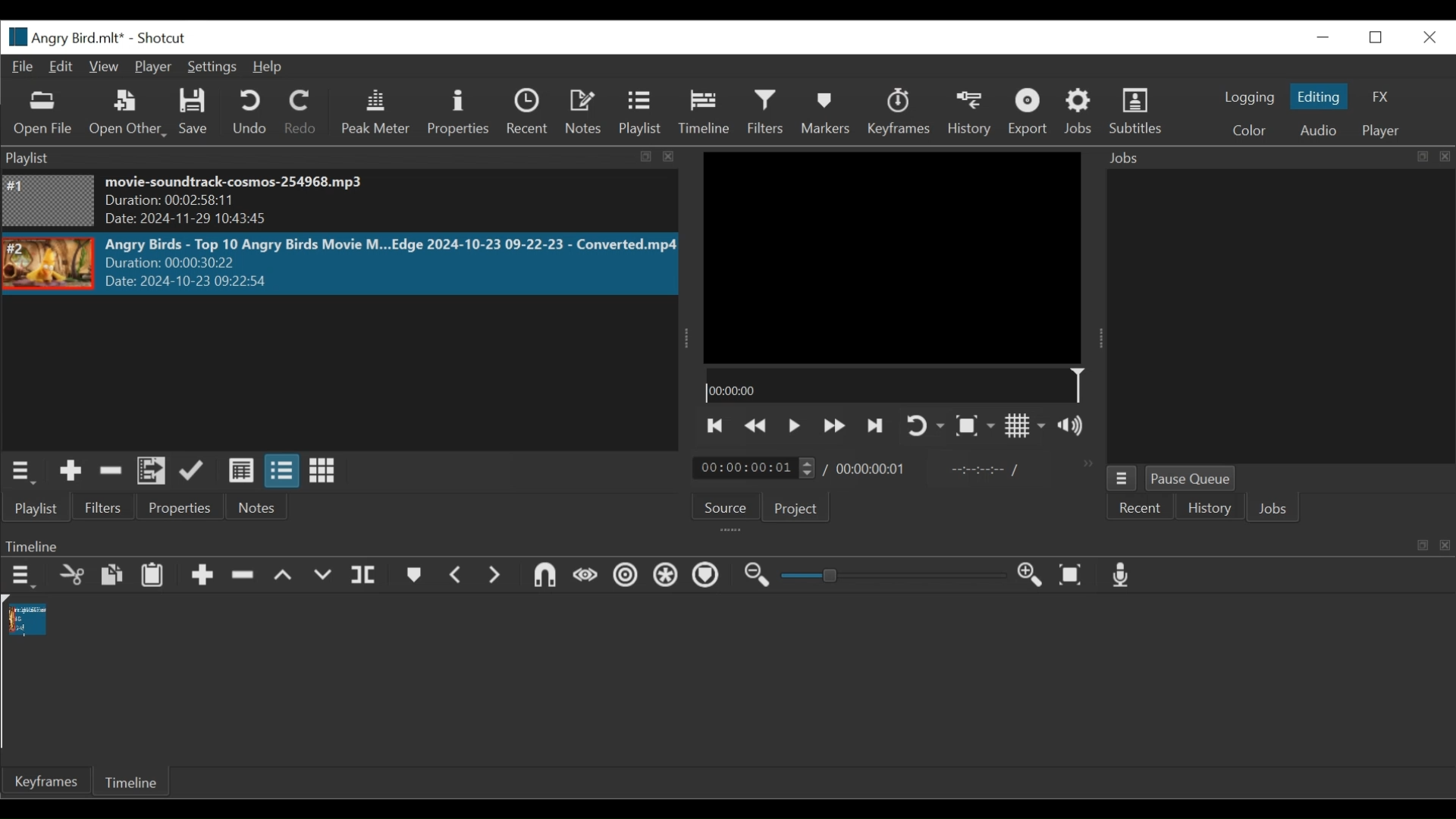  What do you see at coordinates (110, 507) in the screenshot?
I see `Filters` at bounding box center [110, 507].